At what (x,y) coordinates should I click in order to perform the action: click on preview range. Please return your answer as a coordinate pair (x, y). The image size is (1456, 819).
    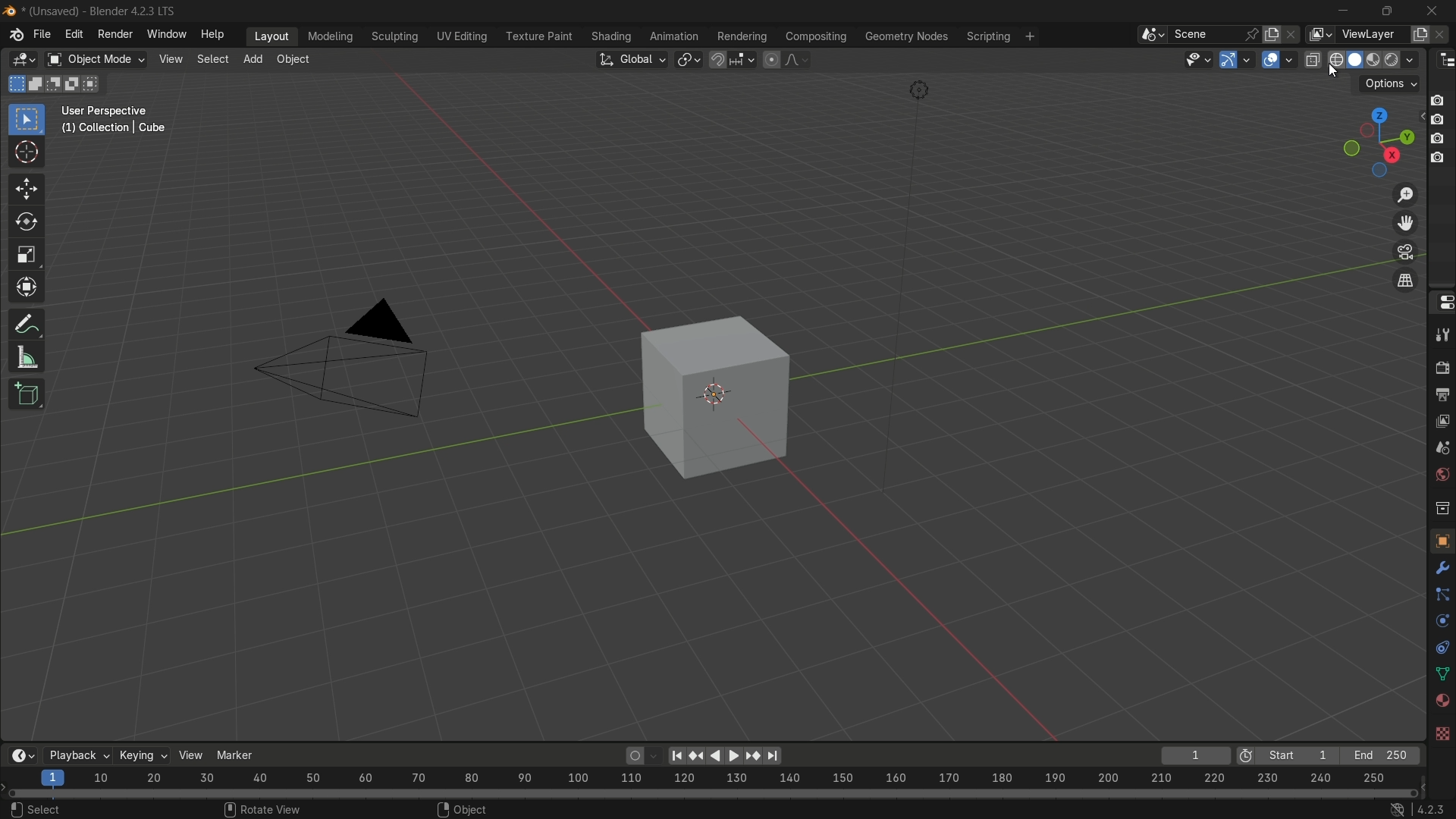
    Looking at the image, I should click on (1244, 755).